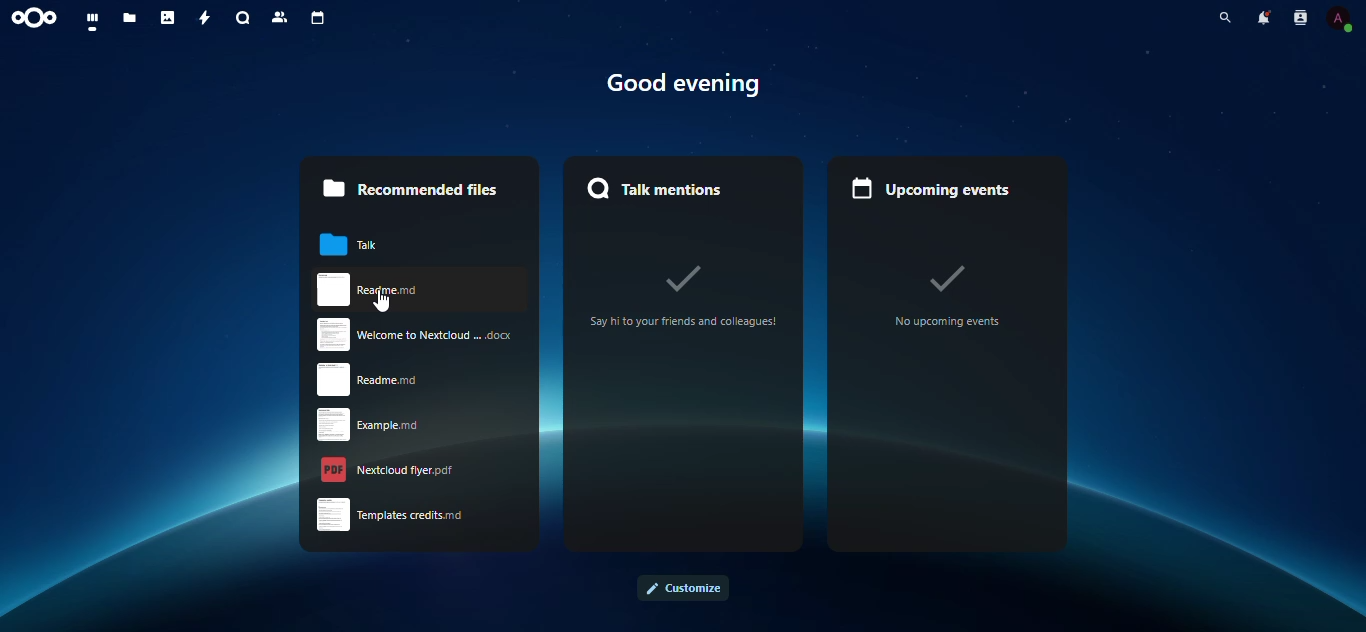 The height and width of the screenshot is (632, 1366). Describe the element at coordinates (420, 290) in the screenshot. I see `Readme.md` at that location.